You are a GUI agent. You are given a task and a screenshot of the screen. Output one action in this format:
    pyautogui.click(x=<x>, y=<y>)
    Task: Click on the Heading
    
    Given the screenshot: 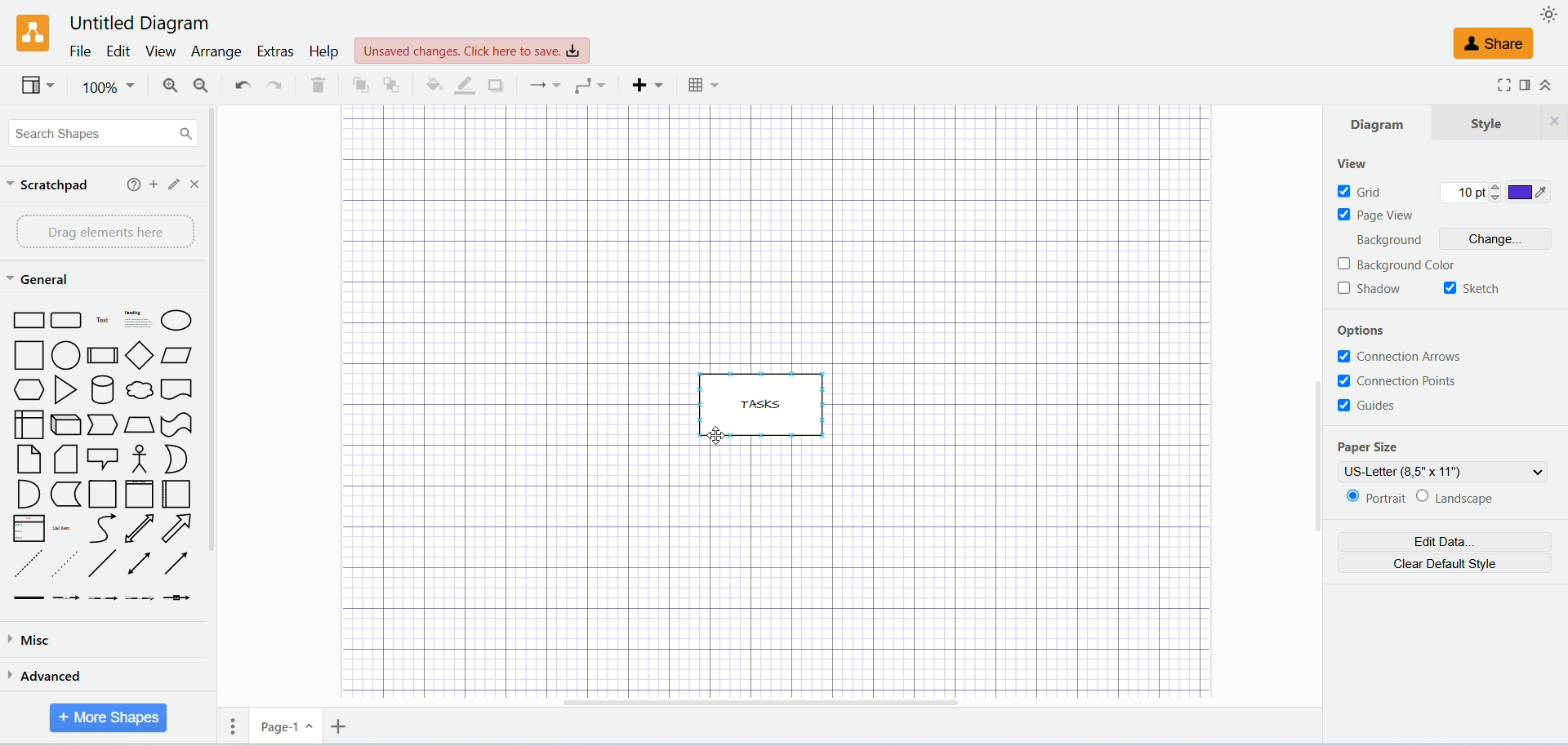 What is the action you would take?
    pyautogui.click(x=139, y=317)
    